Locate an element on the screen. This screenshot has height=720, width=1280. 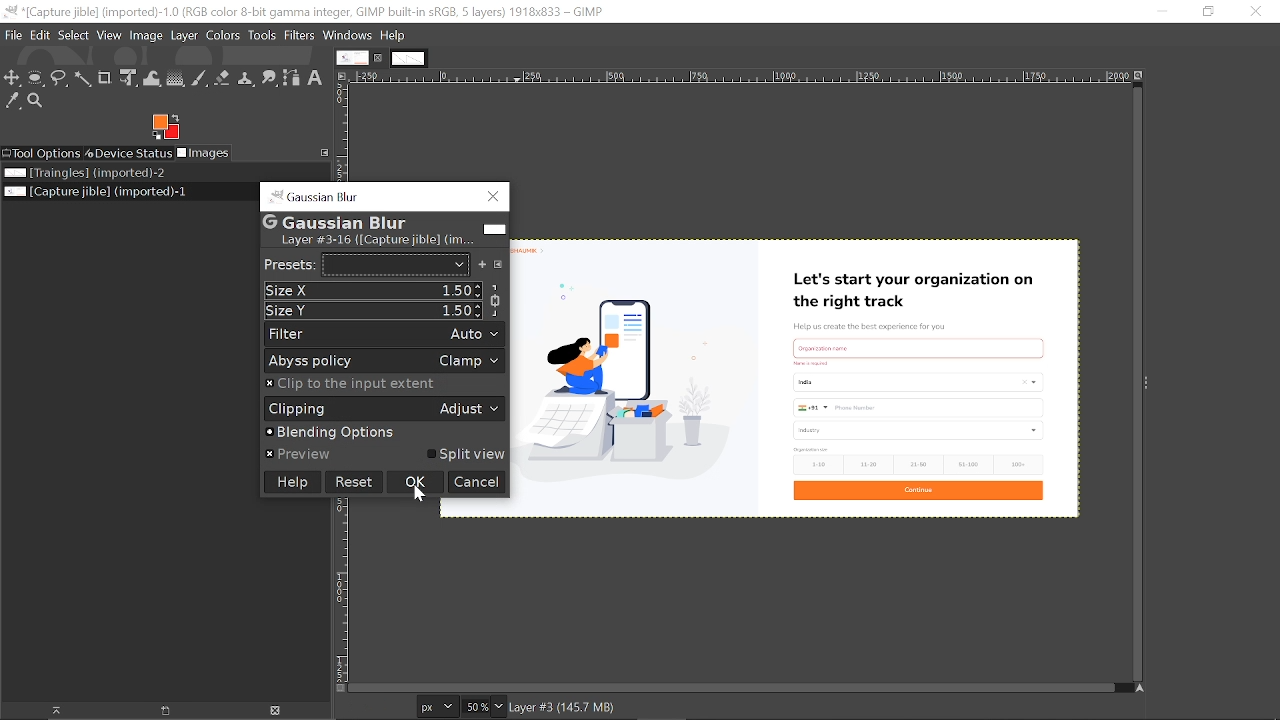
Other tab is located at coordinates (410, 59).